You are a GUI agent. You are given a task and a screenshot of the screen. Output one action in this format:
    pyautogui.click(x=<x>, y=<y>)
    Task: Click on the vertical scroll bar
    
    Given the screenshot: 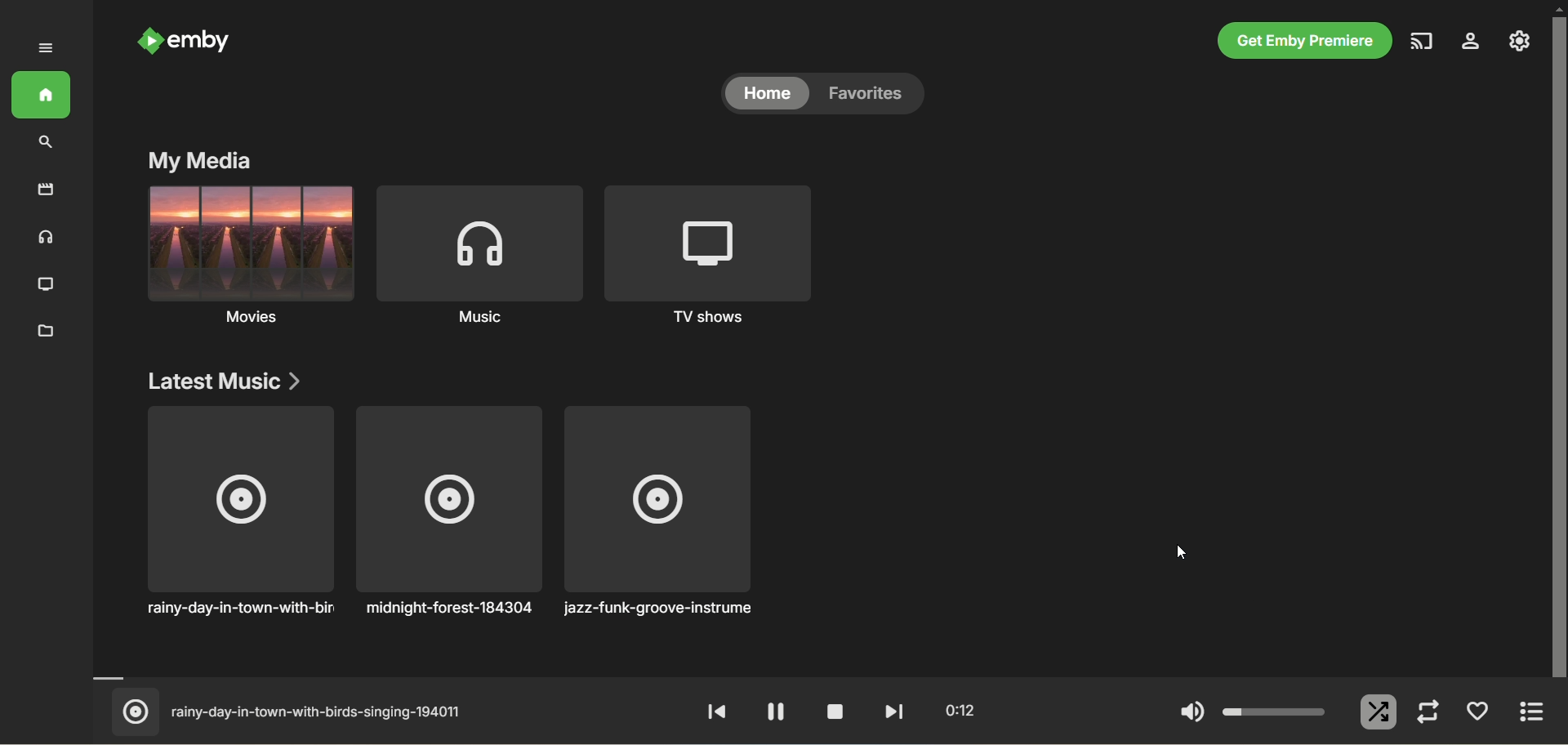 What is the action you would take?
    pyautogui.click(x=1558, y=372)
    